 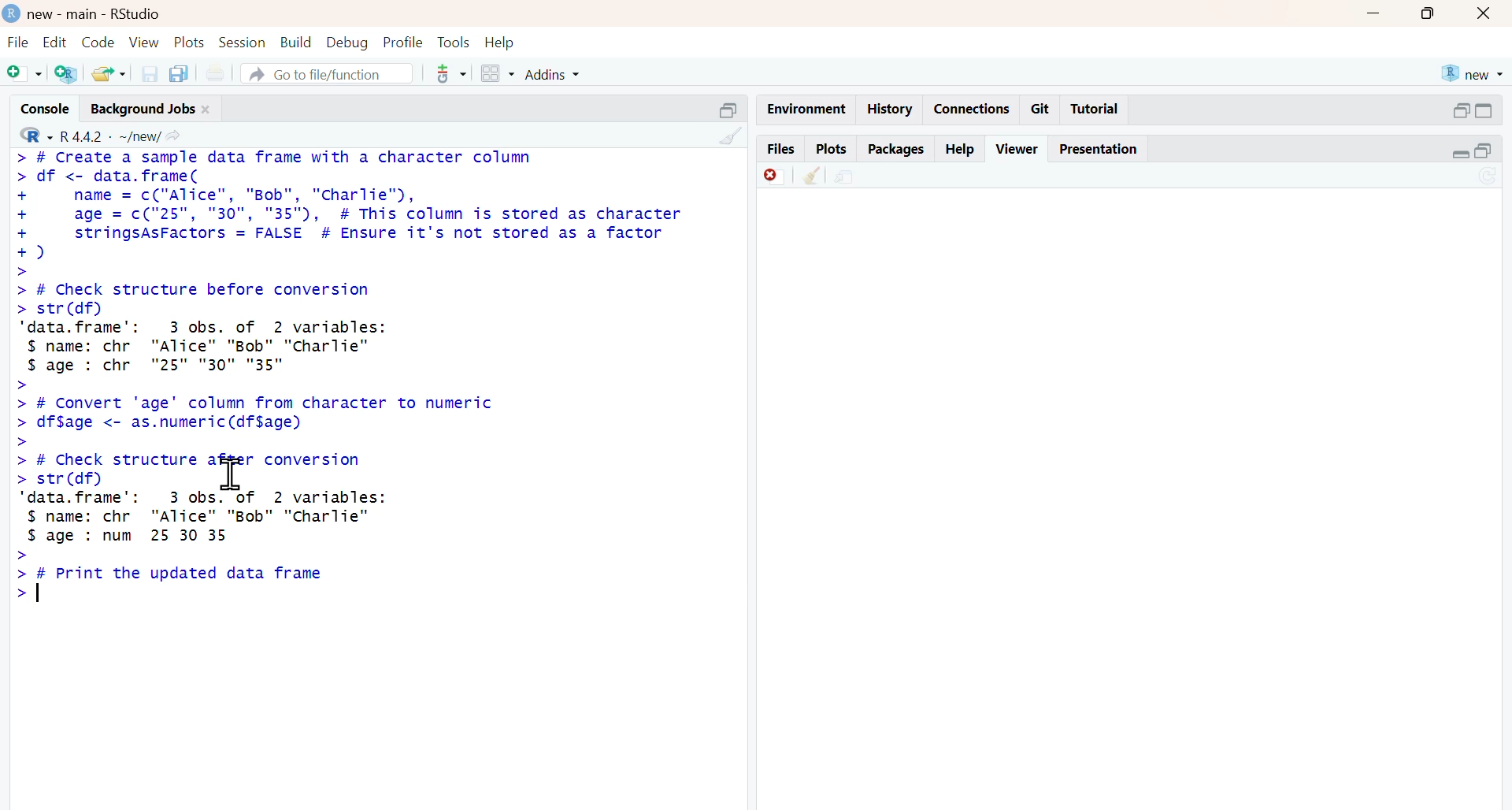 What do you see at coordinates (499, 73) in the screenshot?
I see `grid` at bounding box center [499, 73].